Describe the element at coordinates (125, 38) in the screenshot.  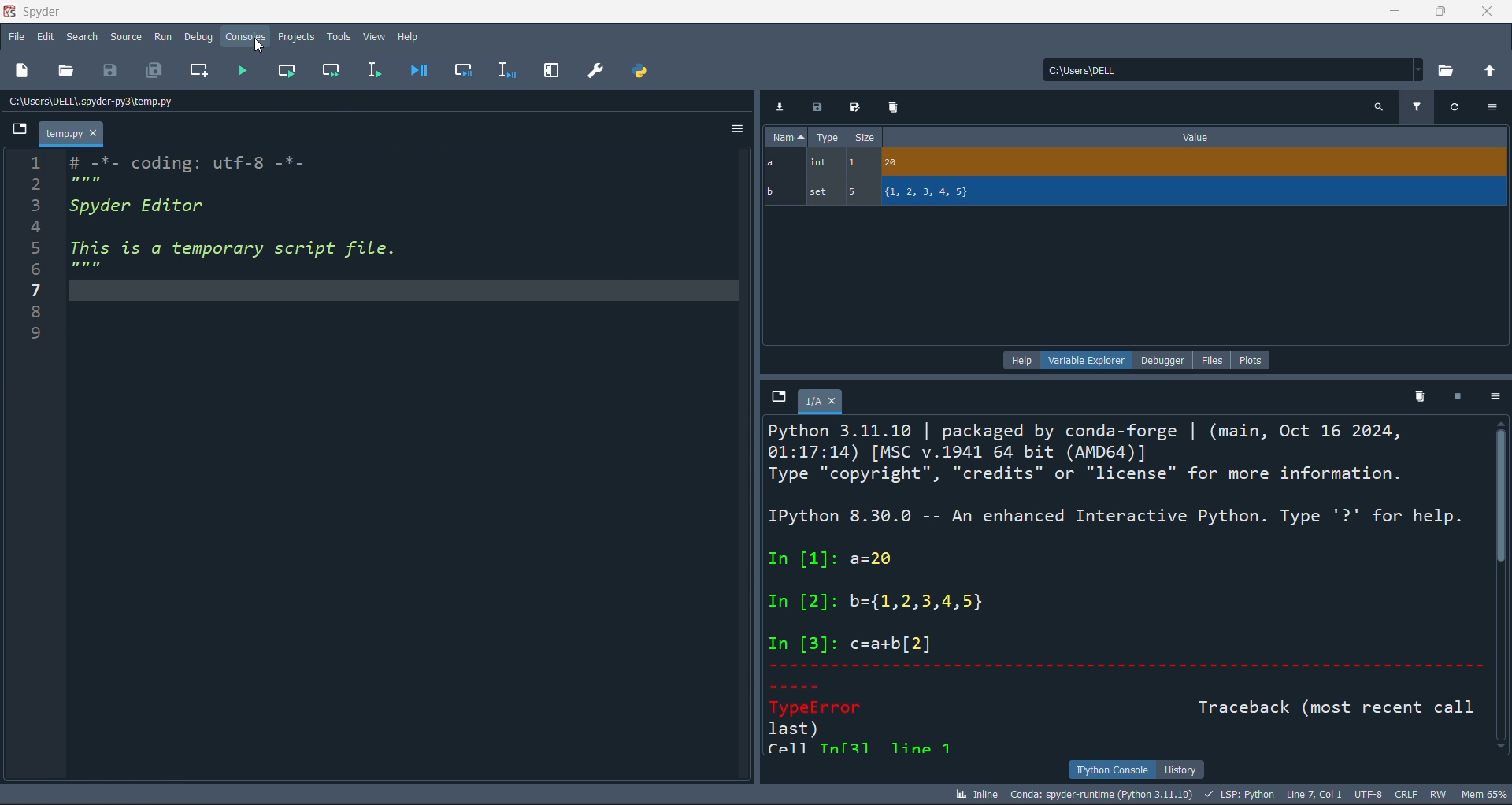
I see `Source` at that location.